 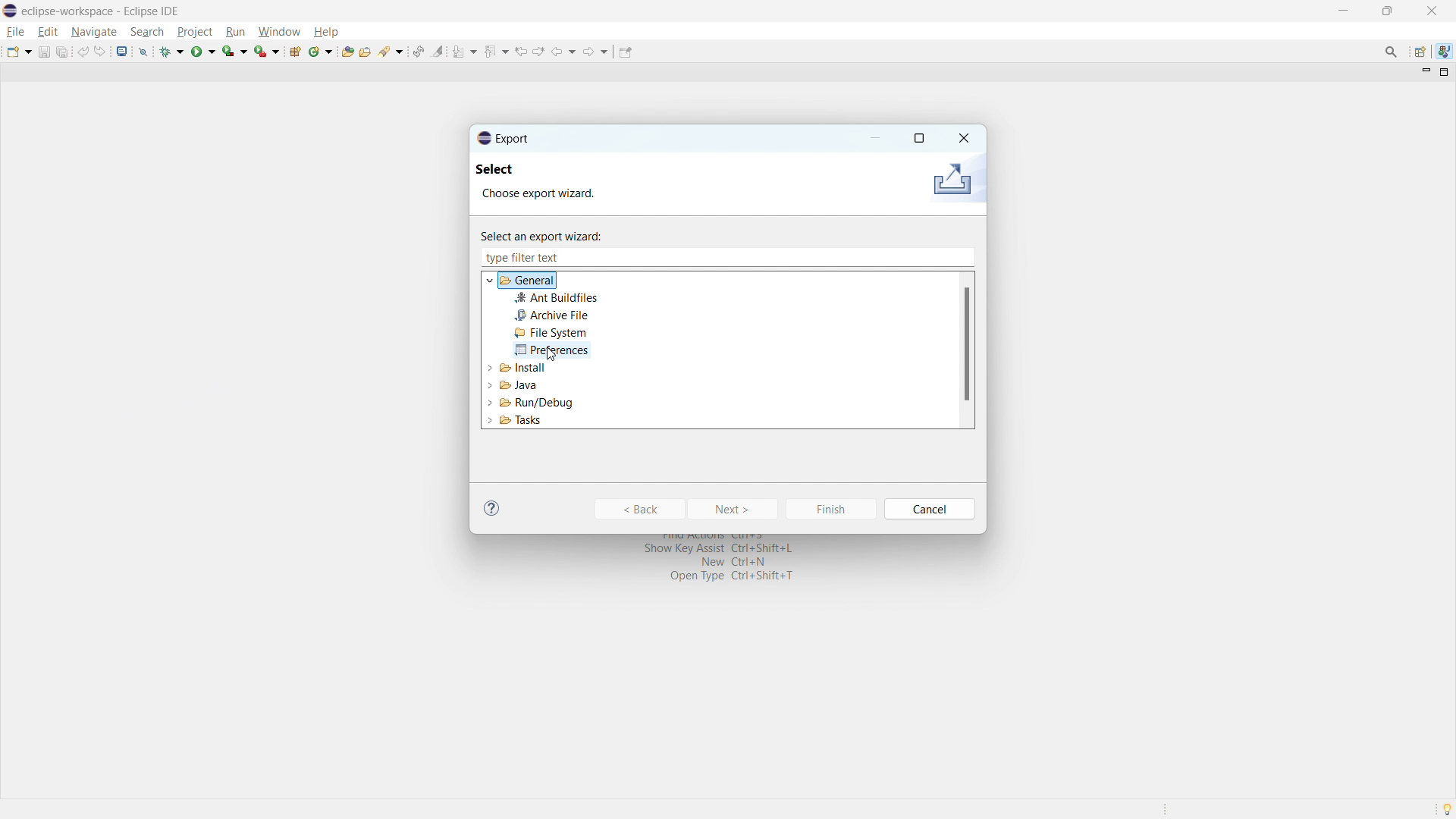 I want to click on minimize view, so click(x=1424, y=73).